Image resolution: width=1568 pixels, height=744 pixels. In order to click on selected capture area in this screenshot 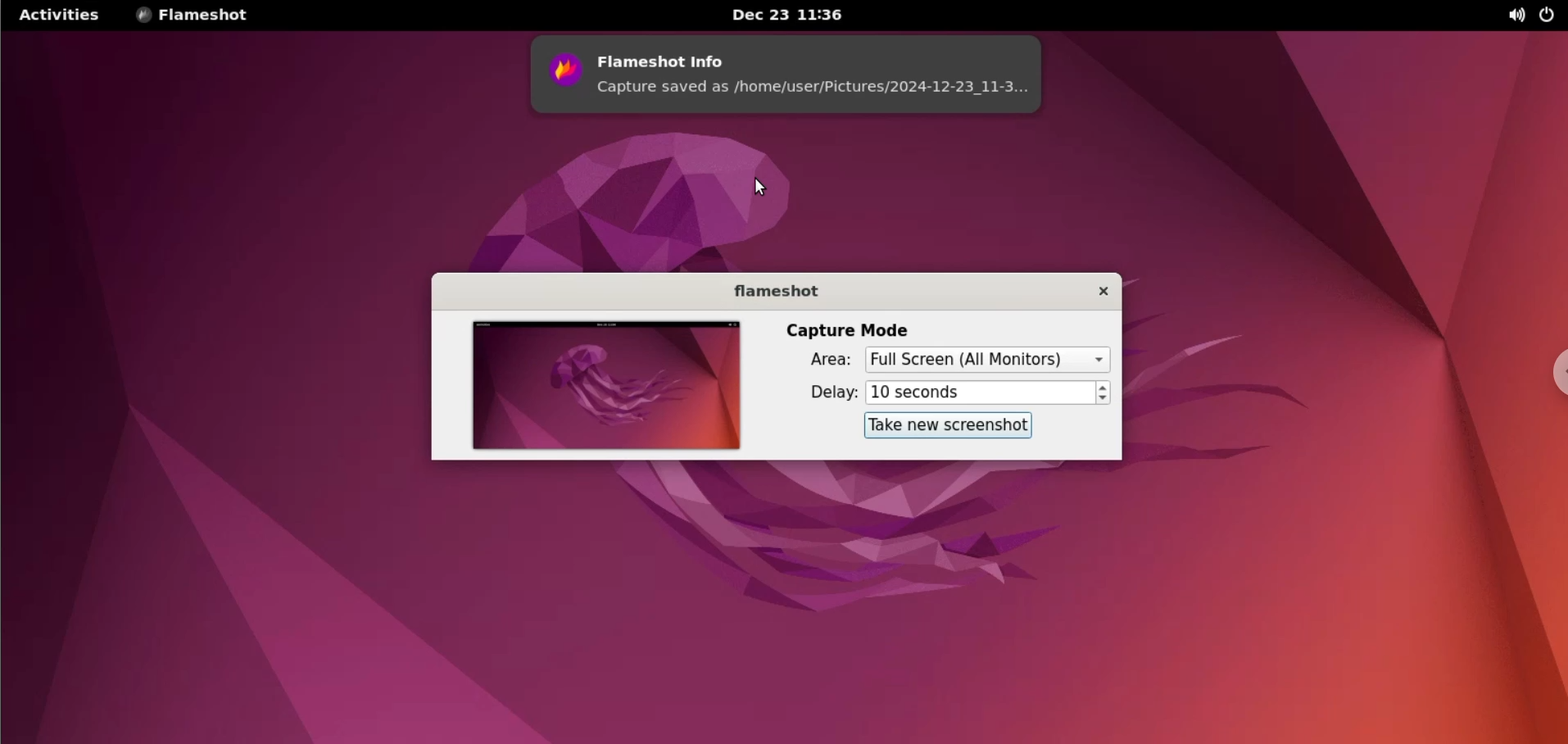, I will do `click(986, 359)`.